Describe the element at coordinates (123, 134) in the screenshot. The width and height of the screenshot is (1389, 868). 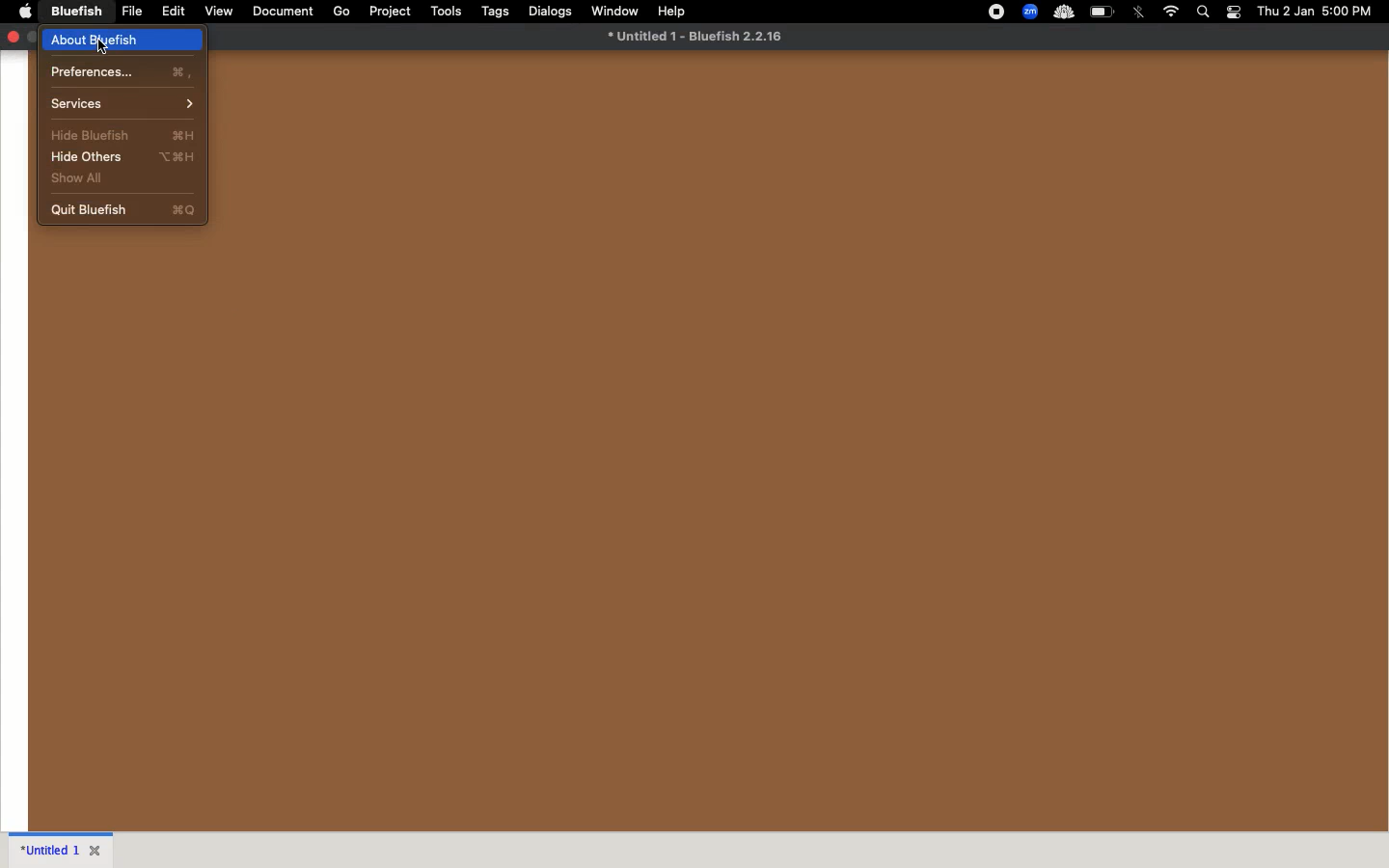
I see `hide bluefish` at that location.